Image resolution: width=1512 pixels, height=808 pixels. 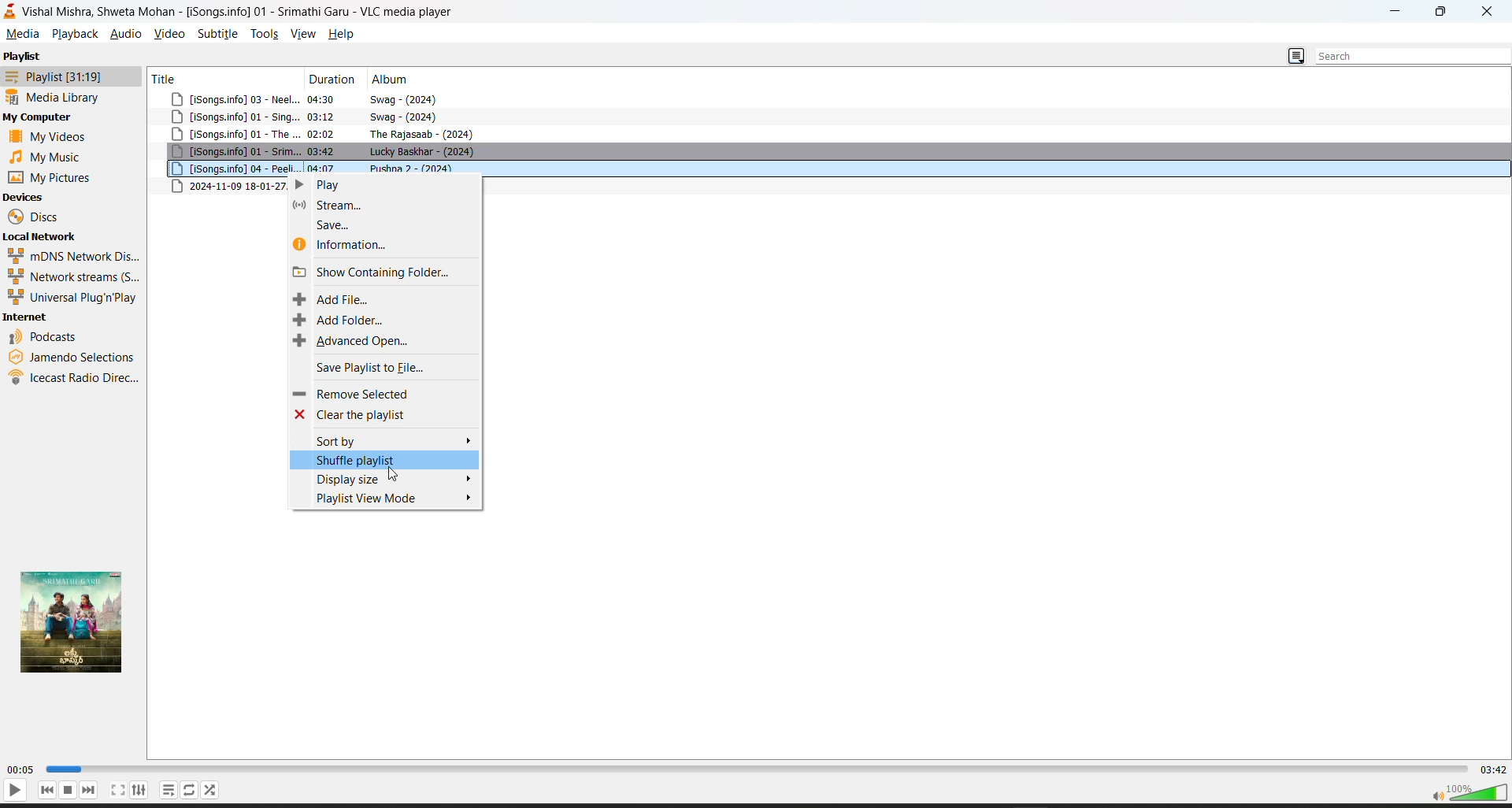 What do you see at coordinates (354, 395) in the screenshot?
I see `remove selected` at bounding box center [354, 395].